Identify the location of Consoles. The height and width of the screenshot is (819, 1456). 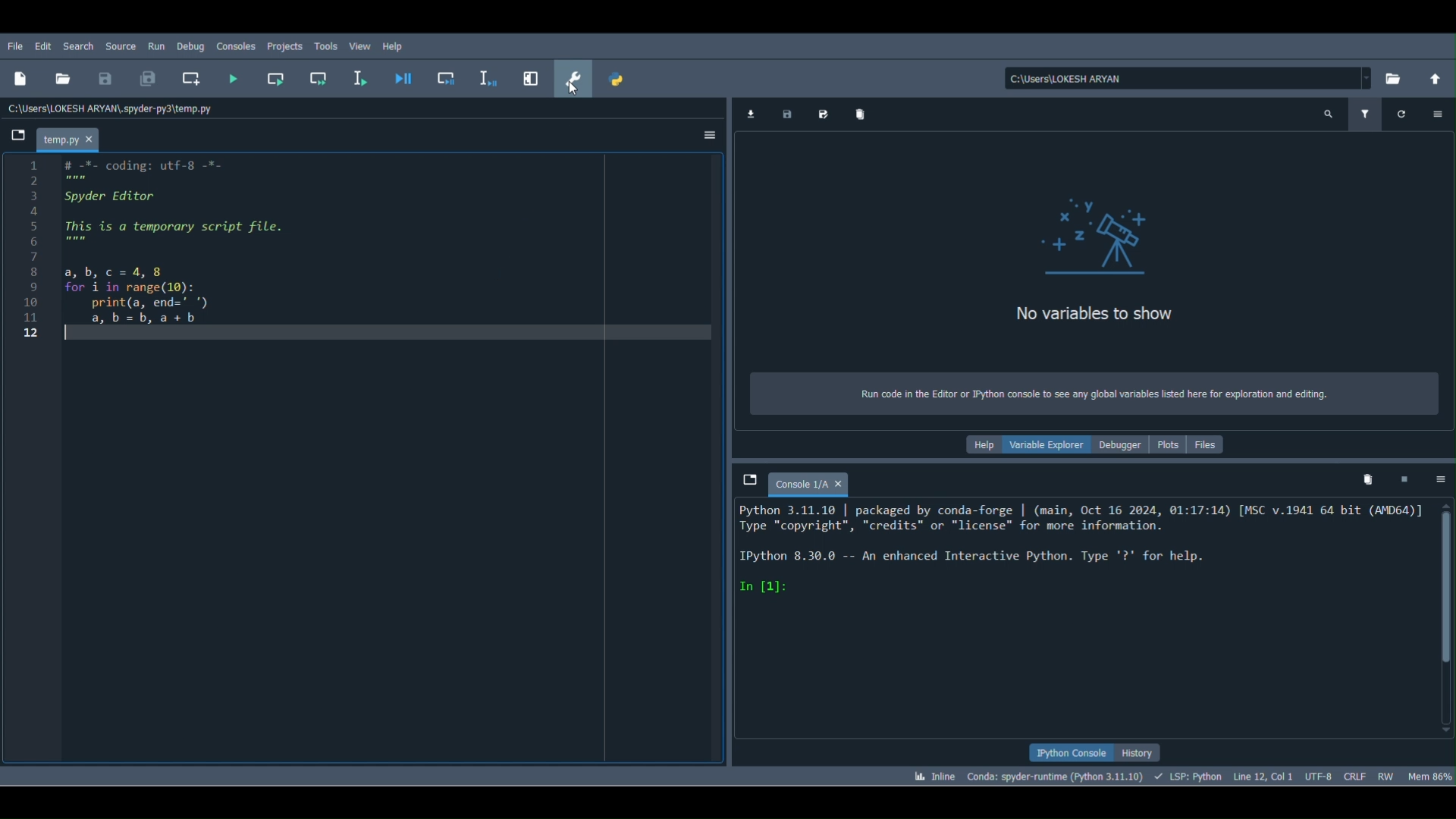
(235, 46).